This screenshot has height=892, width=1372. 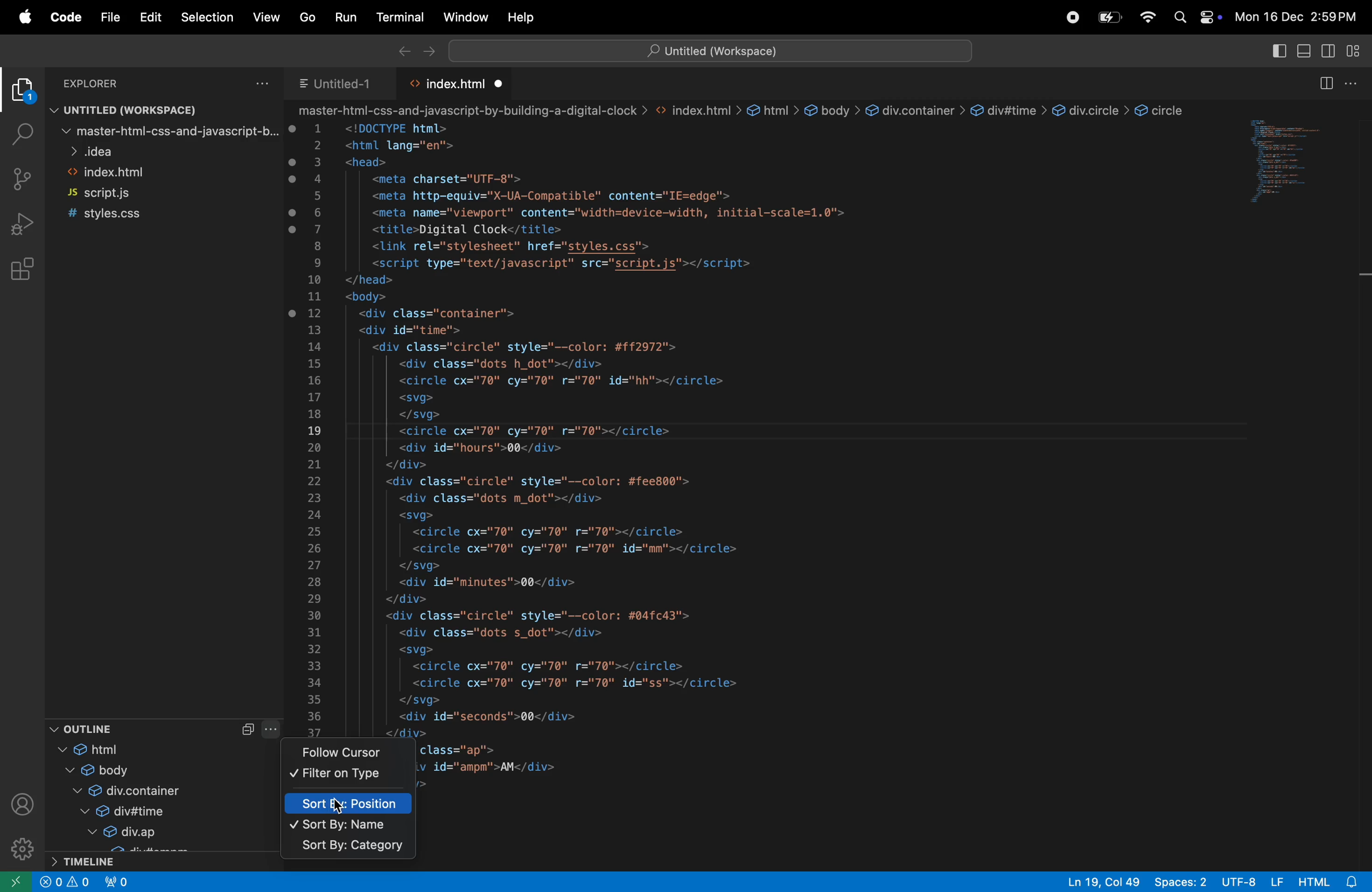 What do you see at coordinates (1104, 882) in the screenshot?
I see `line 19 col 49` at bounding box center [1104, 882].